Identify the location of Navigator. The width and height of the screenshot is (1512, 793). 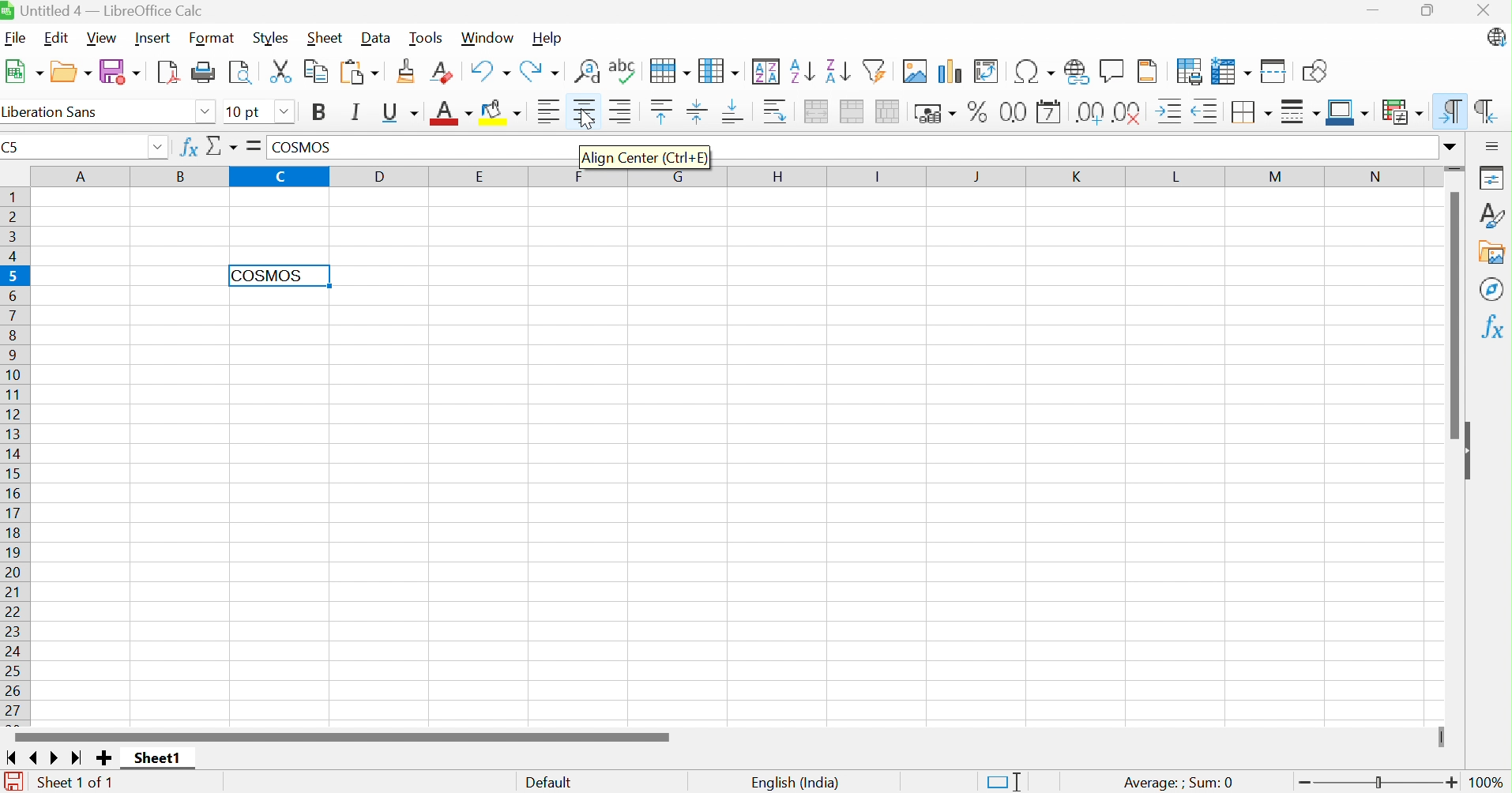
(1494, 288).